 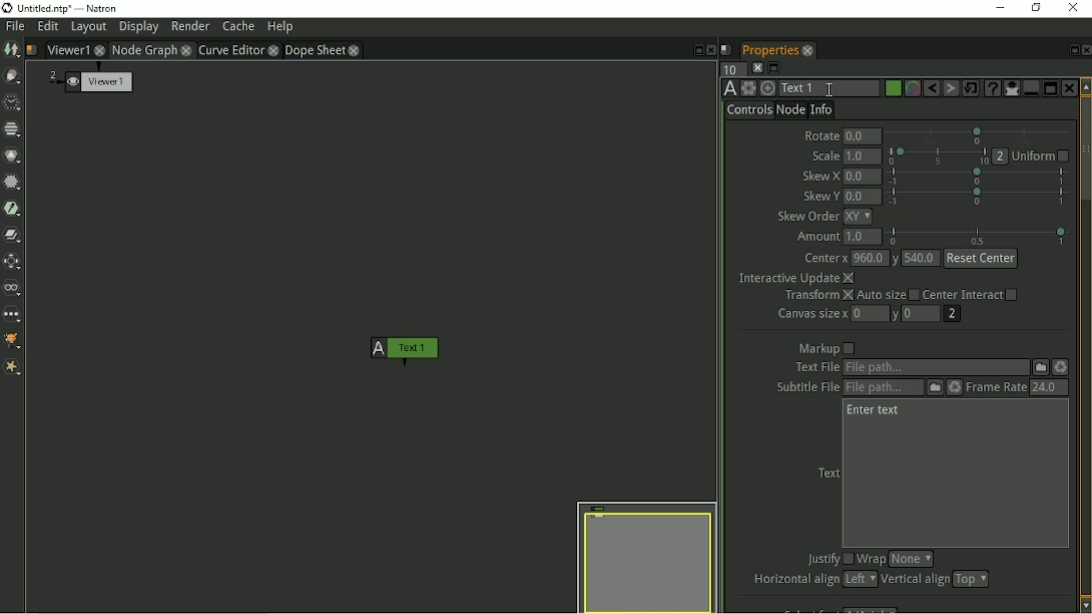 I want to click on Subtitle, so click(x=933, y=388).